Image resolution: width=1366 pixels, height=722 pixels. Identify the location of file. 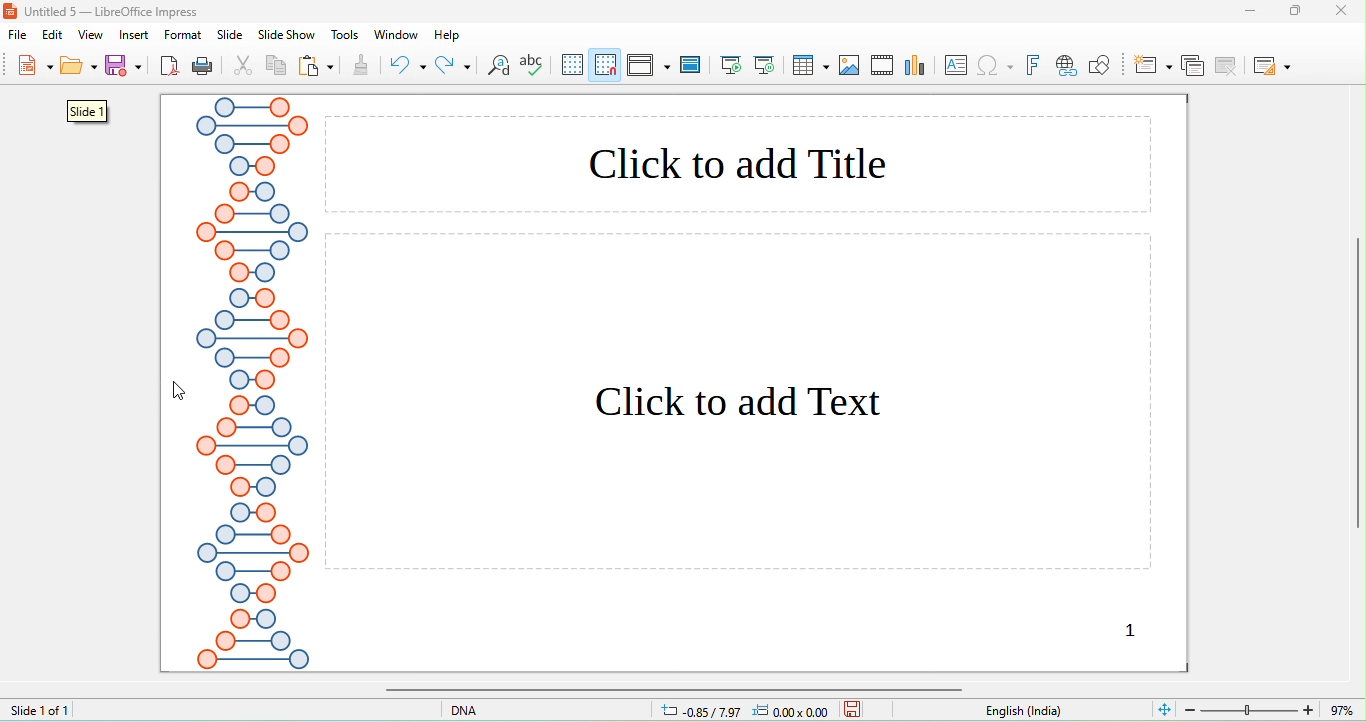
(22, 37).